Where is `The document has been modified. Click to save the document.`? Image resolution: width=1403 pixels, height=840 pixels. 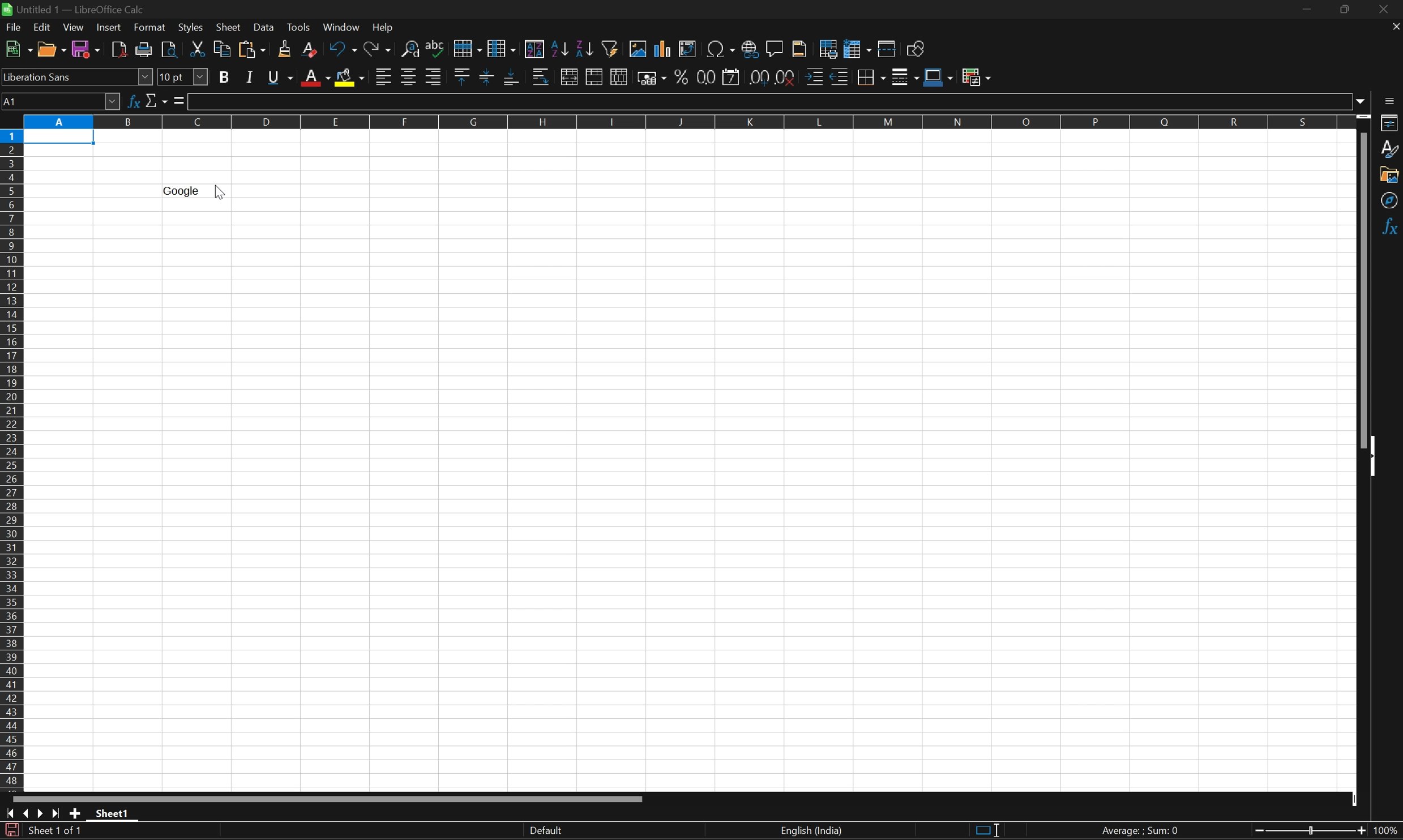
The document has been modified. Click to save the document. is located at coordinates (11, 831).